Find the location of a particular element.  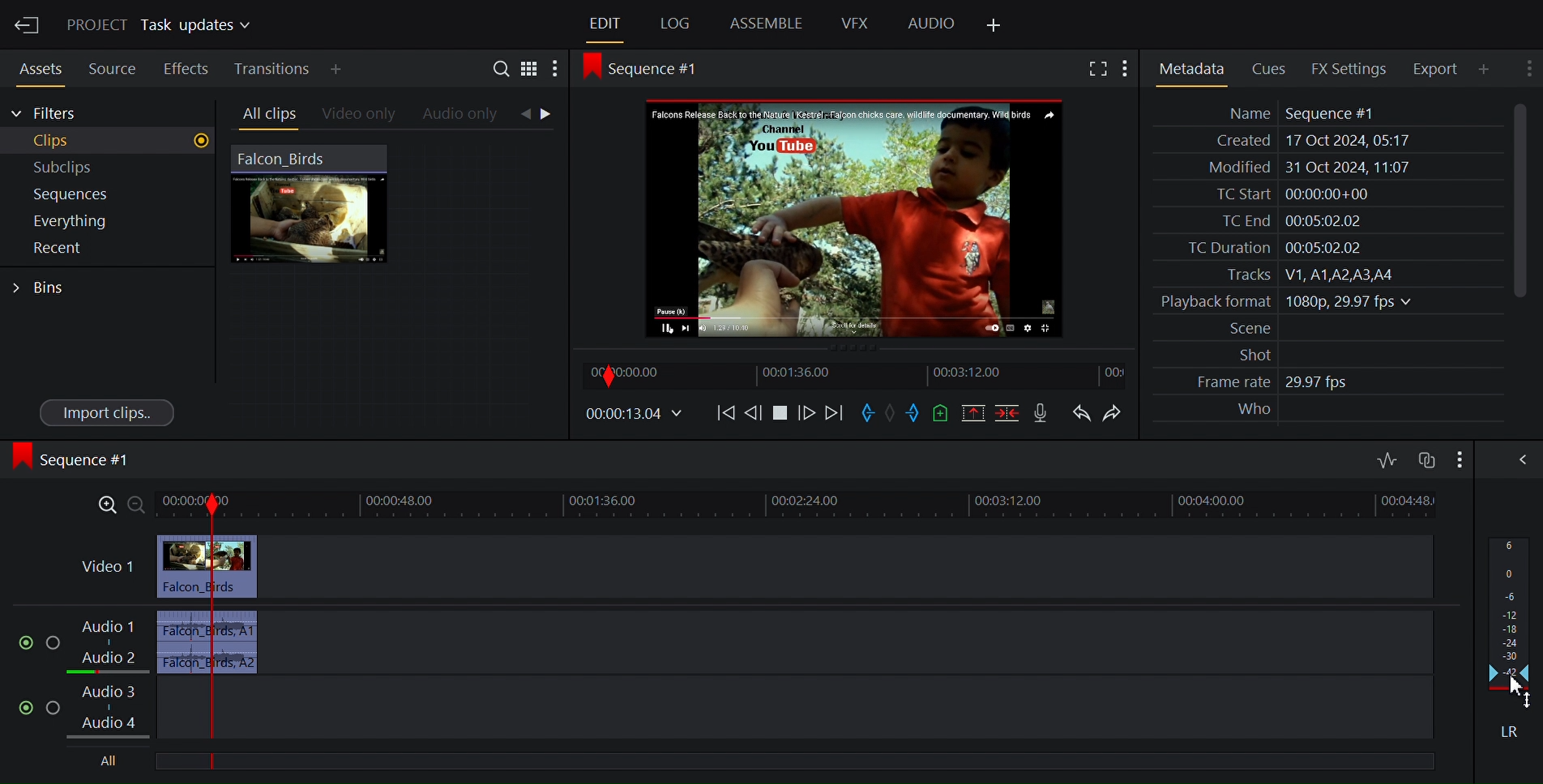

Sources is located at coordinates (109, 70).